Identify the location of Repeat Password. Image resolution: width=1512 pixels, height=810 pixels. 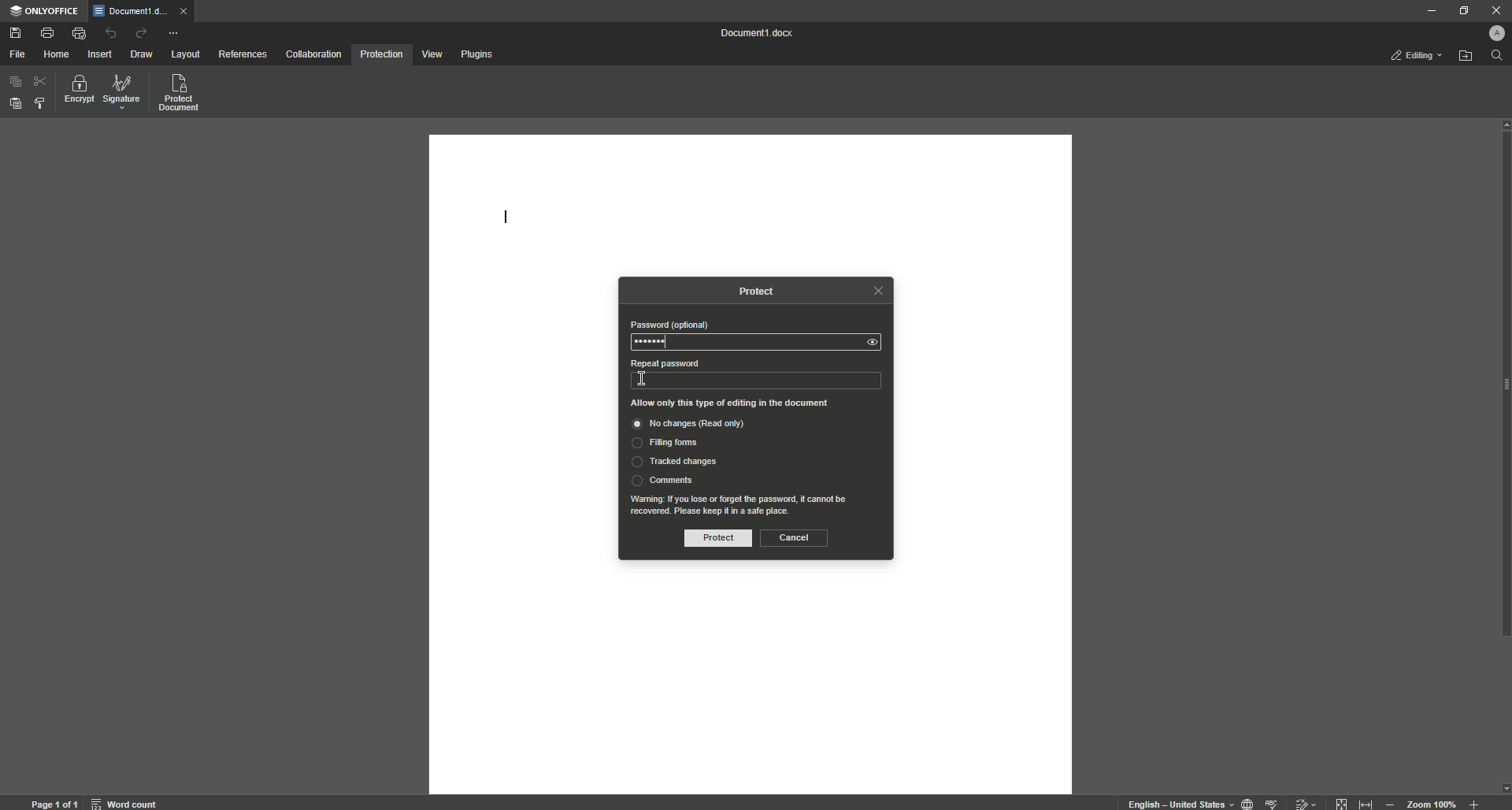
(664, 363).